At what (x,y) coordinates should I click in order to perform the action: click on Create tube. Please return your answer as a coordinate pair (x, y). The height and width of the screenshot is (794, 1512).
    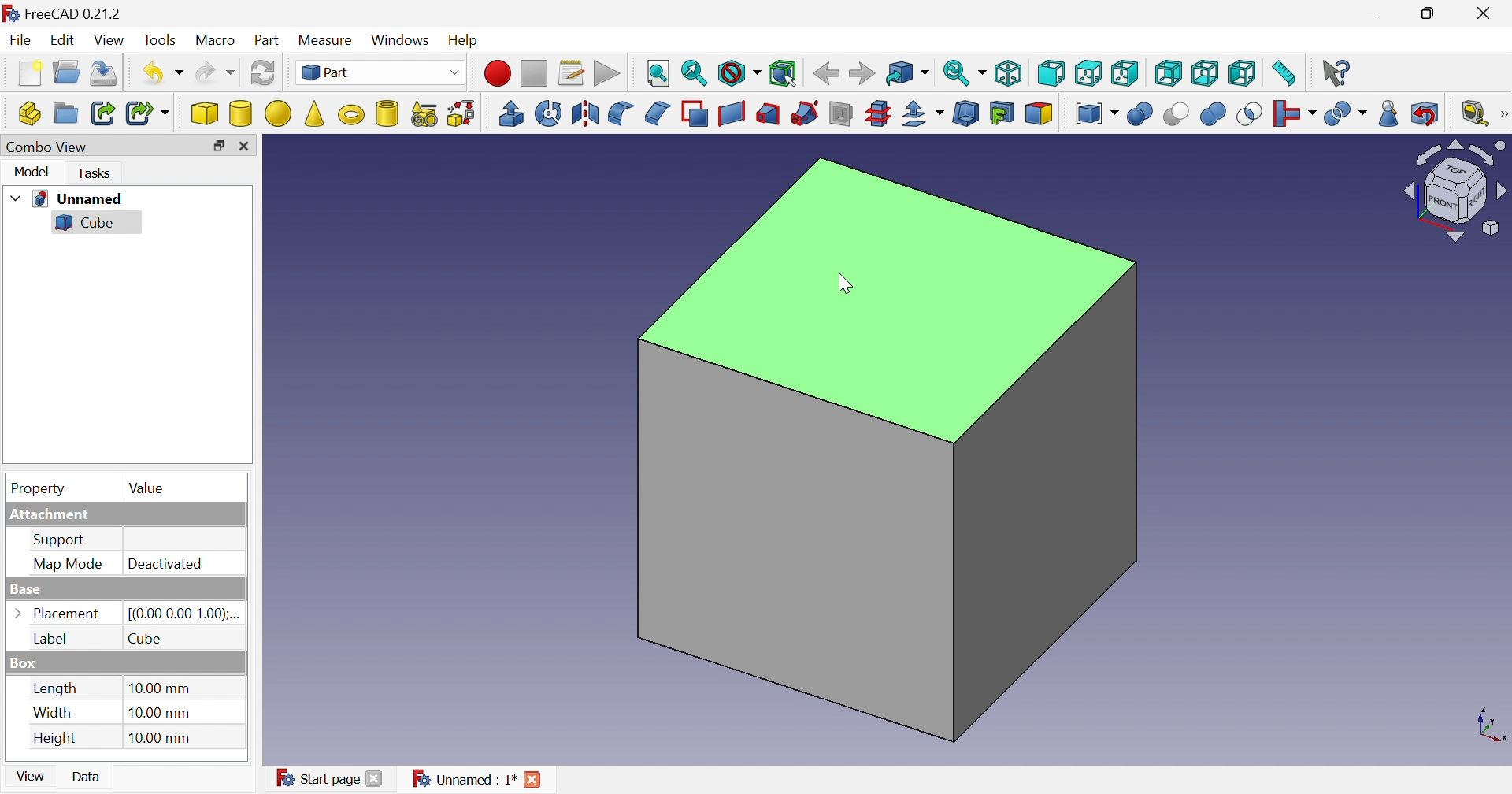
    Looking at the image, I should click on (388, 114).